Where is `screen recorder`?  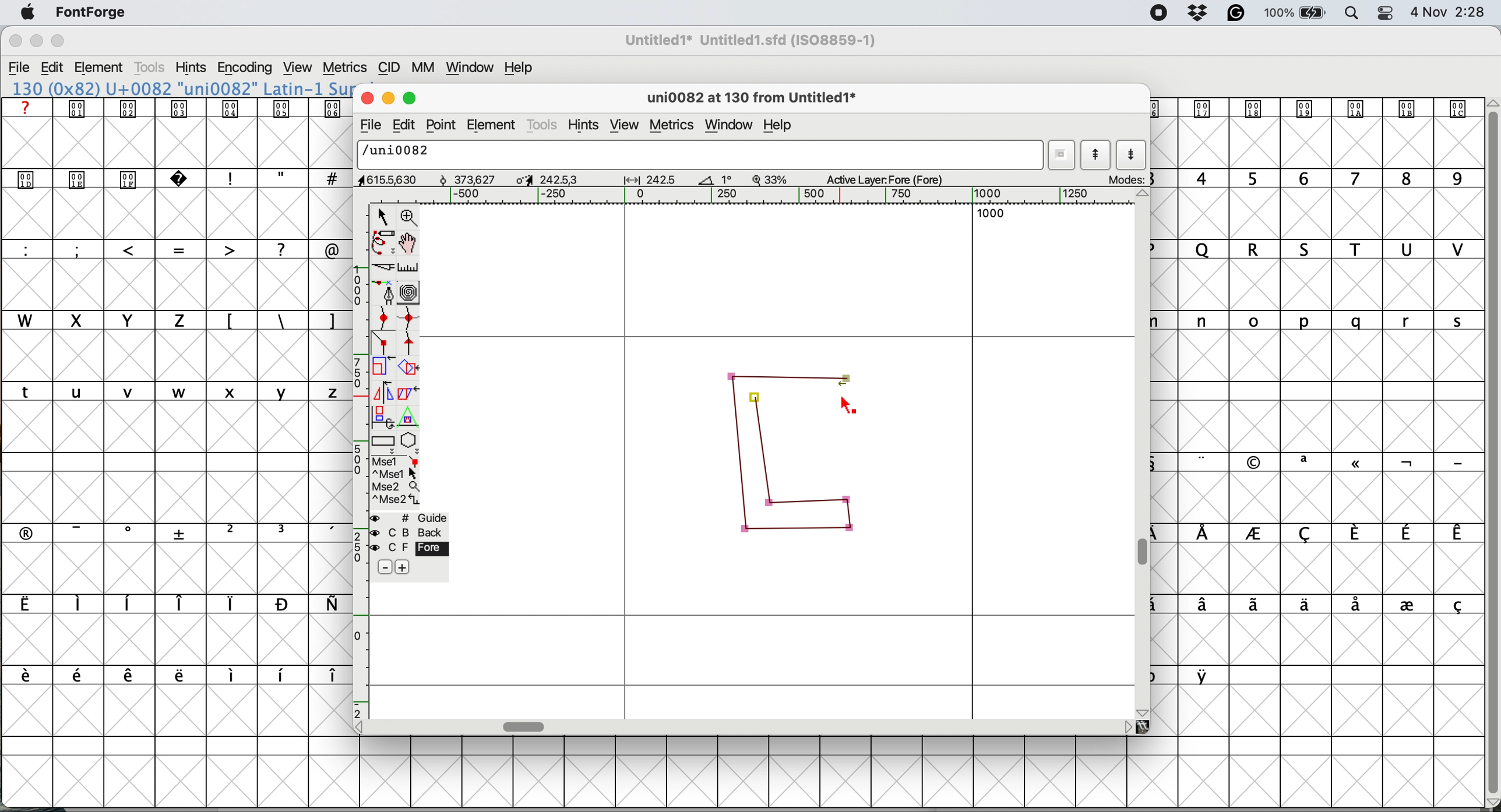 screen recorder is located at coordinates (1160, 13).